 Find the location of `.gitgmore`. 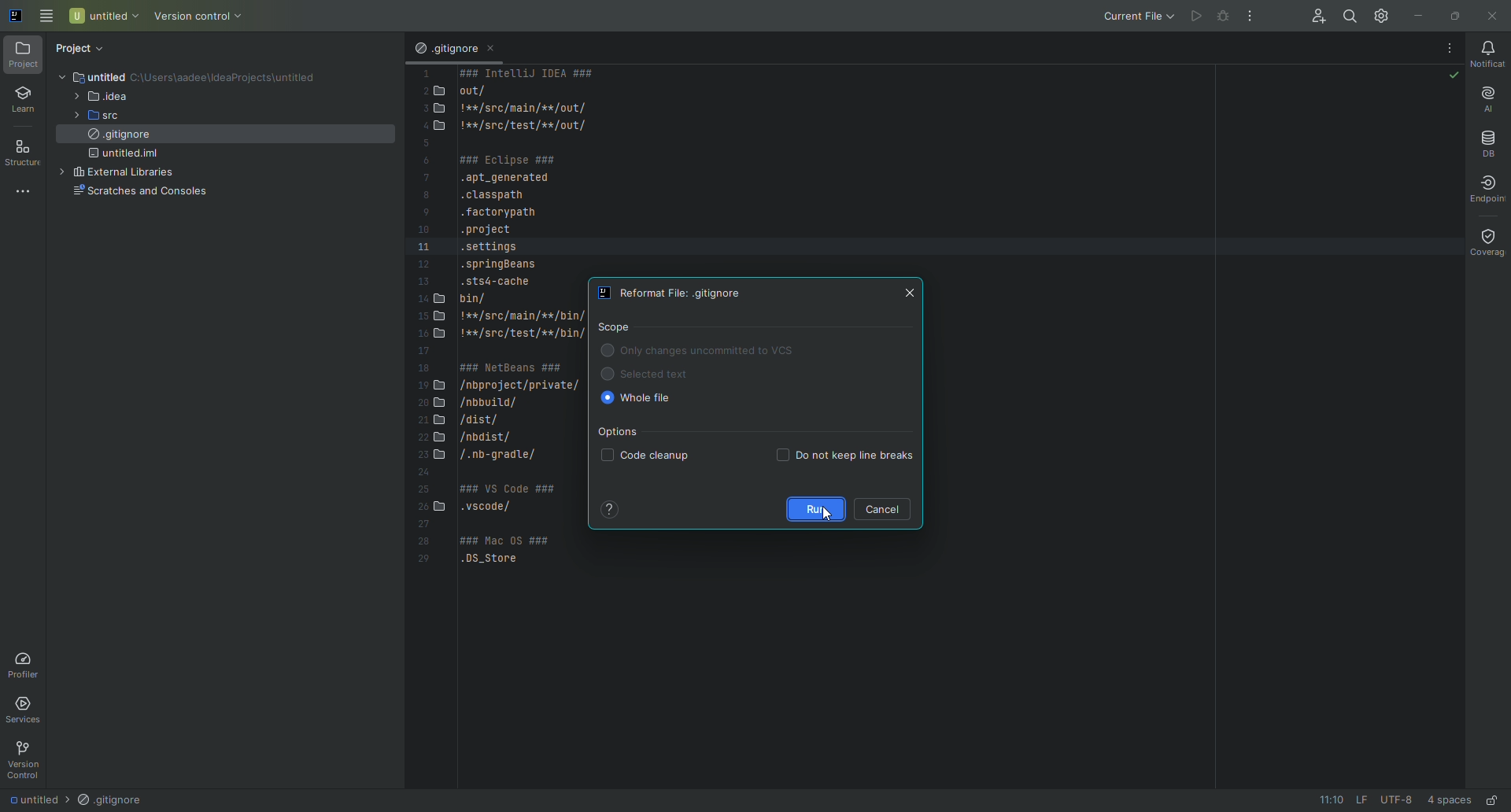

.gitgmore is located at coordinates (111, 800).